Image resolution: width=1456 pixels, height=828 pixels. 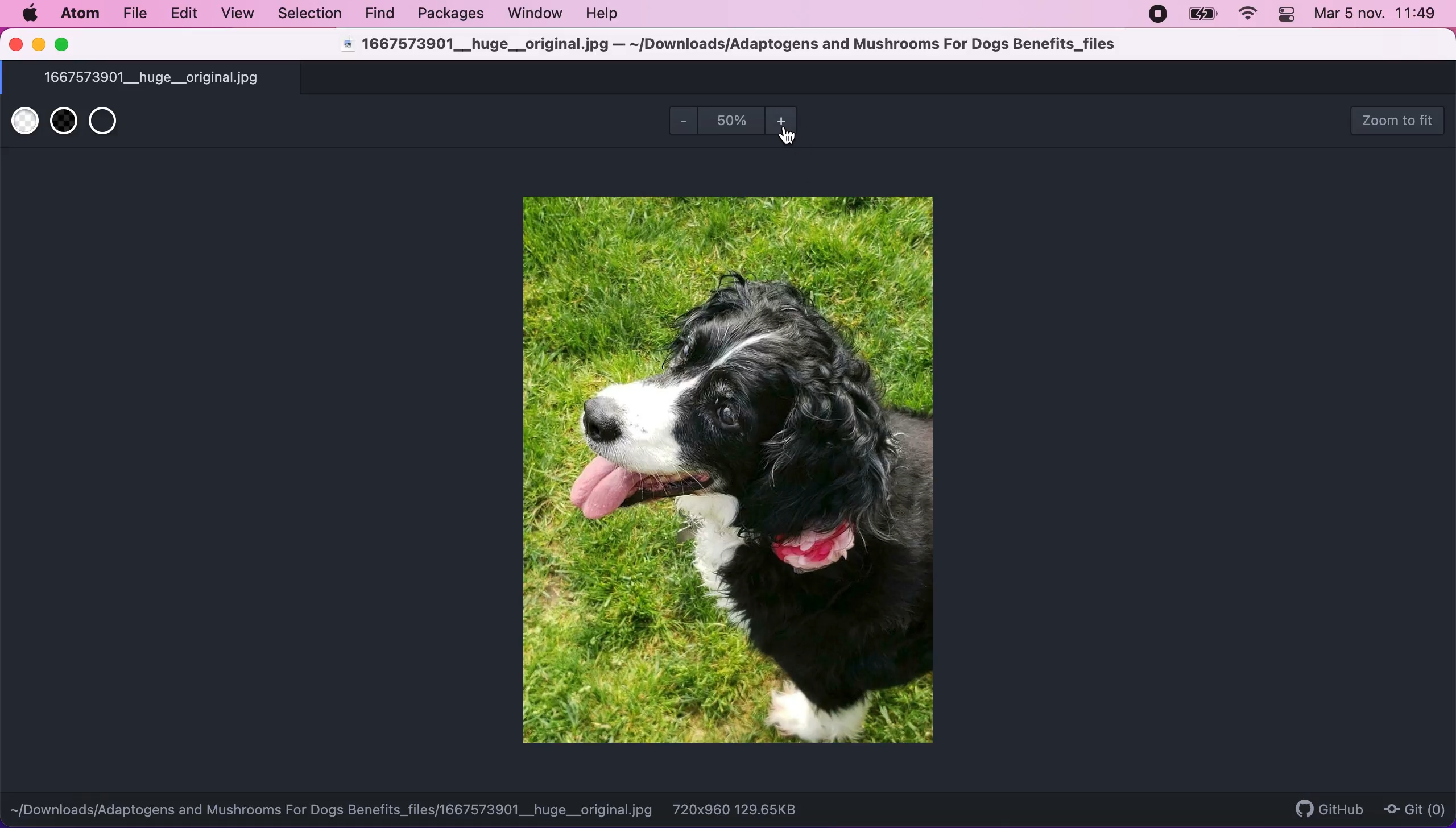 I want to click on atom, so click(x=79, y=15).